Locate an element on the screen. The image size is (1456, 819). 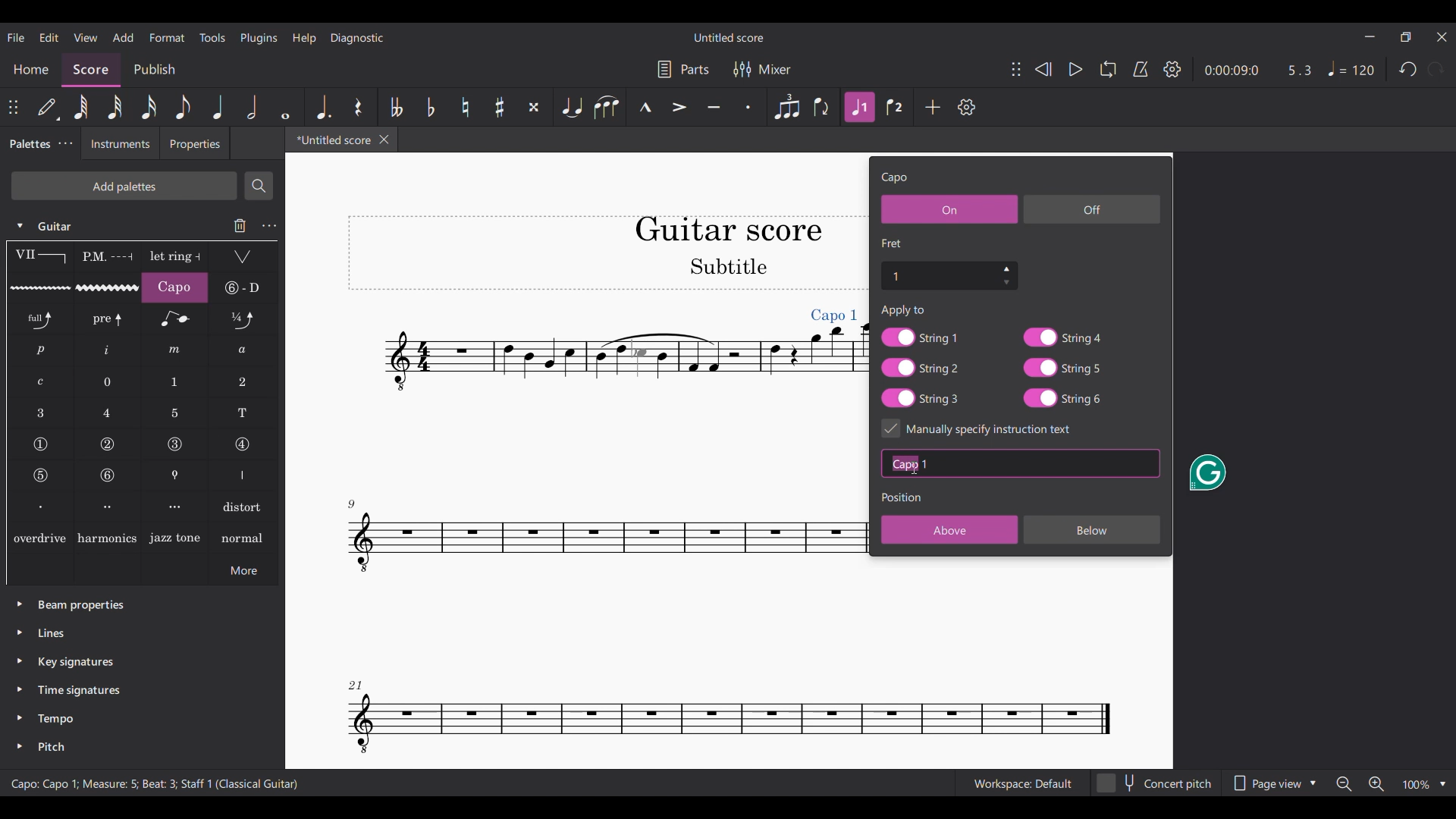
Augmentation dot is located at coordinates (322, 107).